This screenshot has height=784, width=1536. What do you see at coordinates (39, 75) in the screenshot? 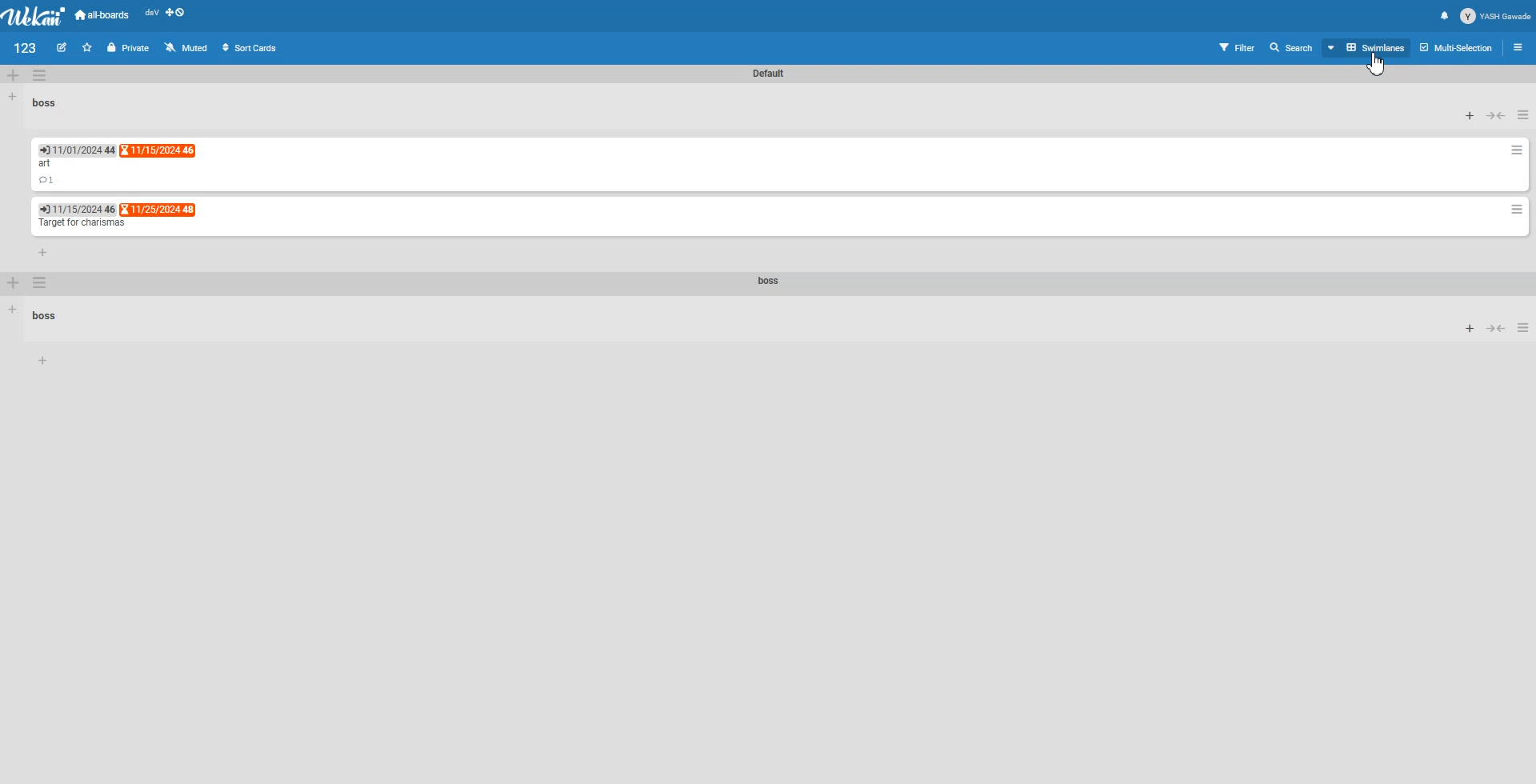
I see `Swimlane Action` at bounding box center [39, 75].